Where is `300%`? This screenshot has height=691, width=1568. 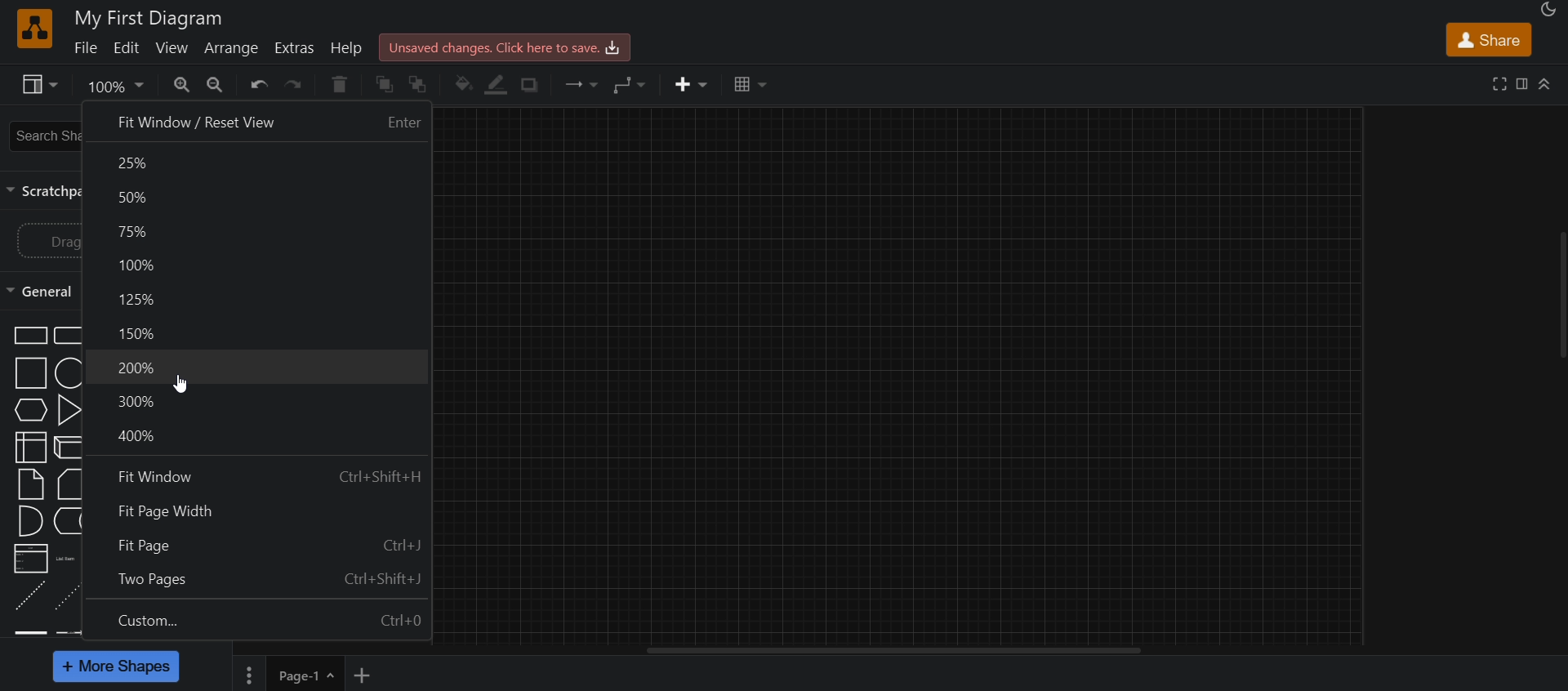 300% is located at coordinates (267, 403).